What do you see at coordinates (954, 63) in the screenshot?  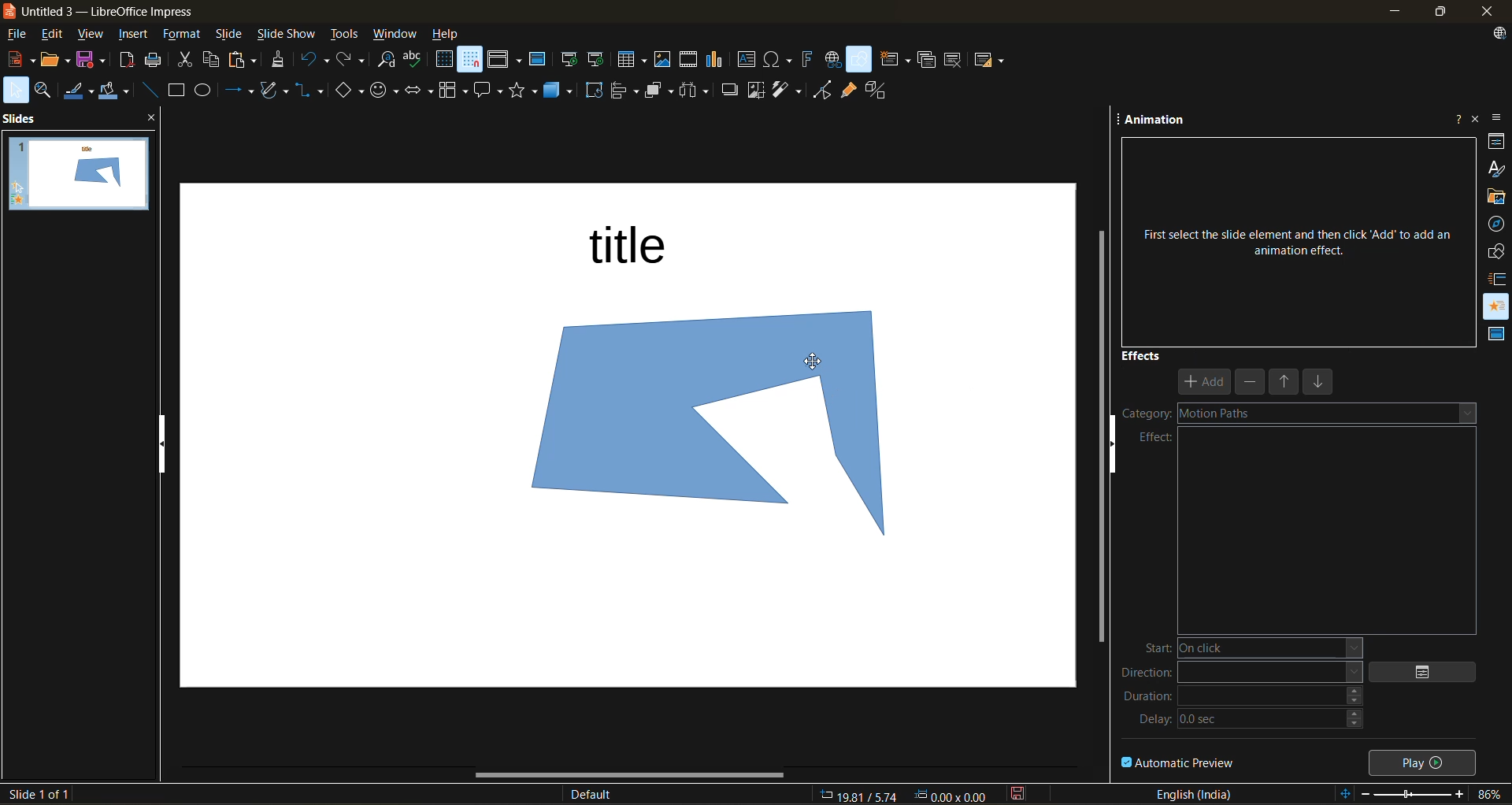 I see `delete slide` at bounding box center [954, 63].